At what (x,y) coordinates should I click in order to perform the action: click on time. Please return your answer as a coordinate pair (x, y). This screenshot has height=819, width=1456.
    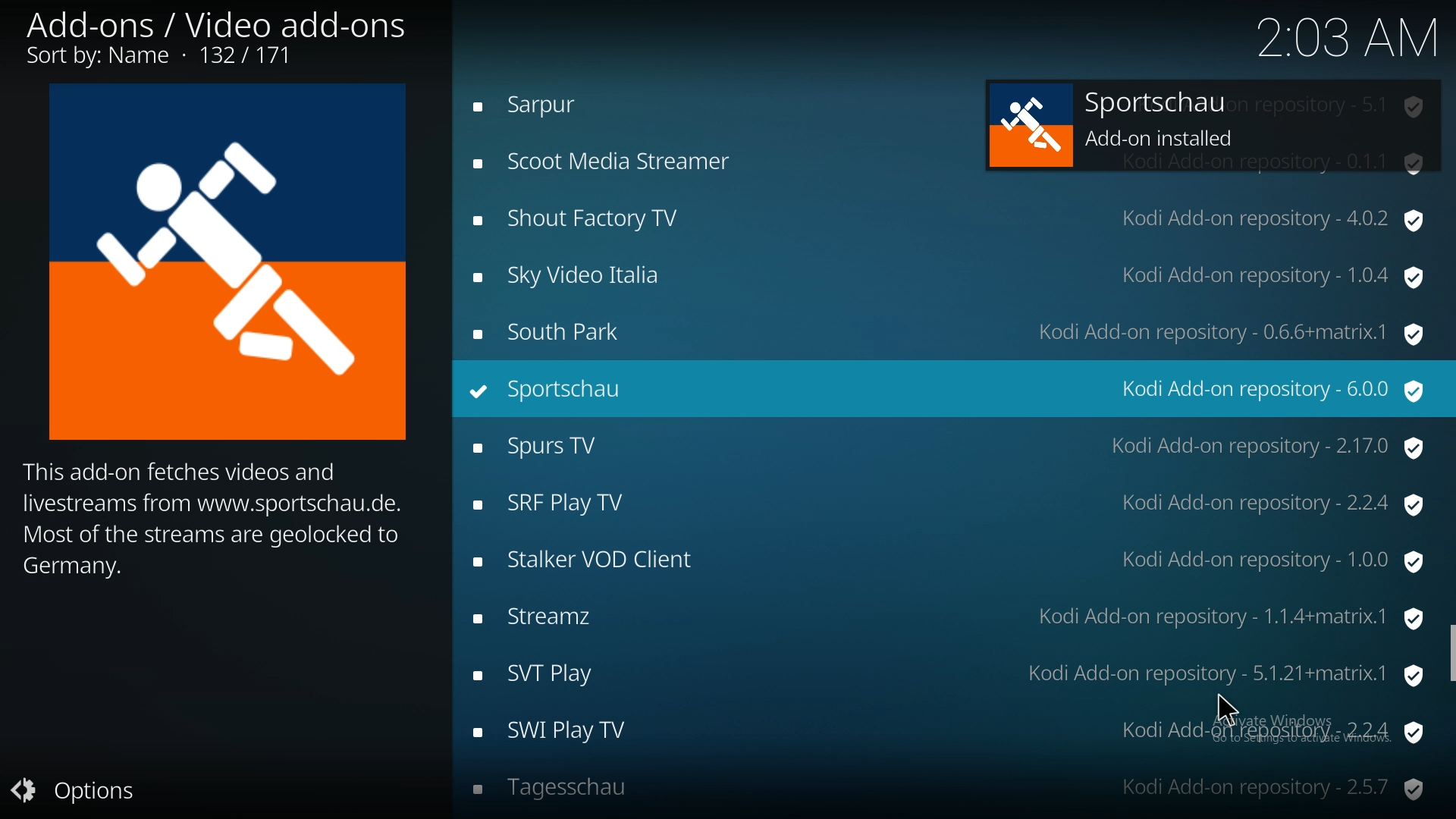
    Looking at the image, I should click on (1347, 37).